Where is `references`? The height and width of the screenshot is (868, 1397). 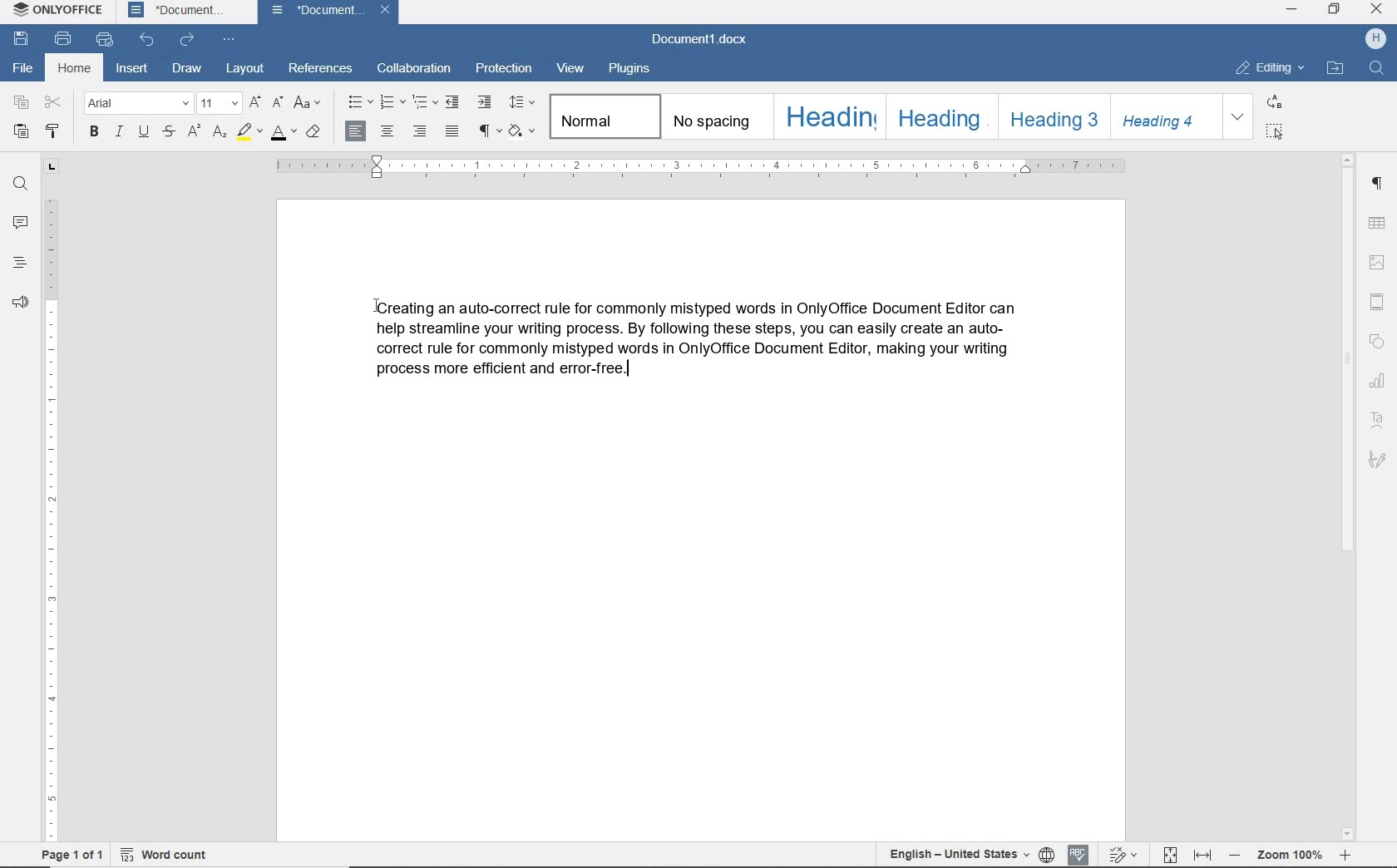
references is located at coordinates (318, 68).